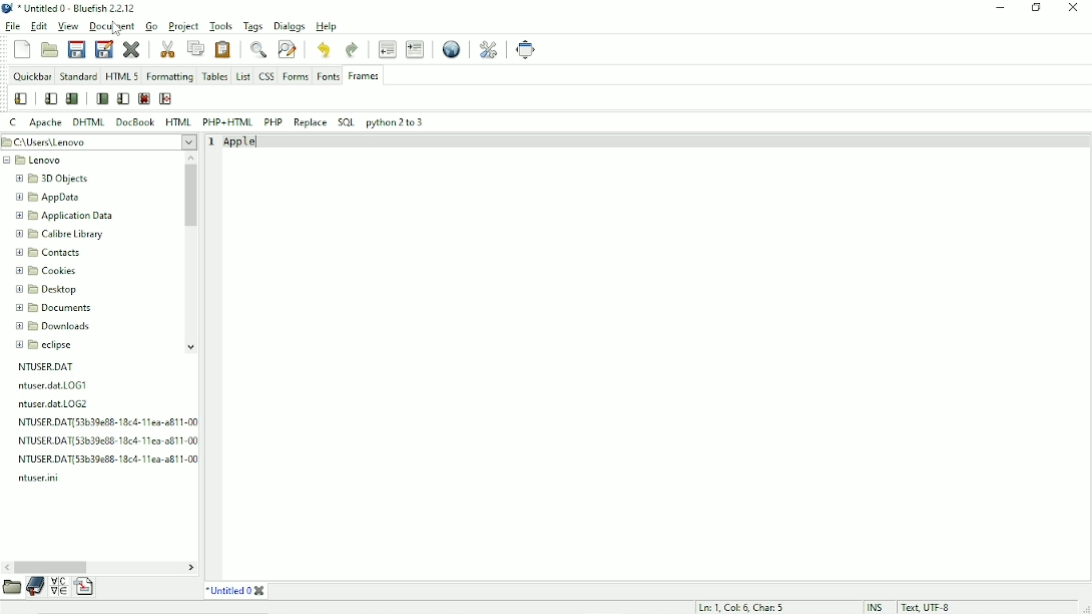  What do you see at coordinates (49, 478) in the screenshot?
I see `file` at bounding box center [49, 478].